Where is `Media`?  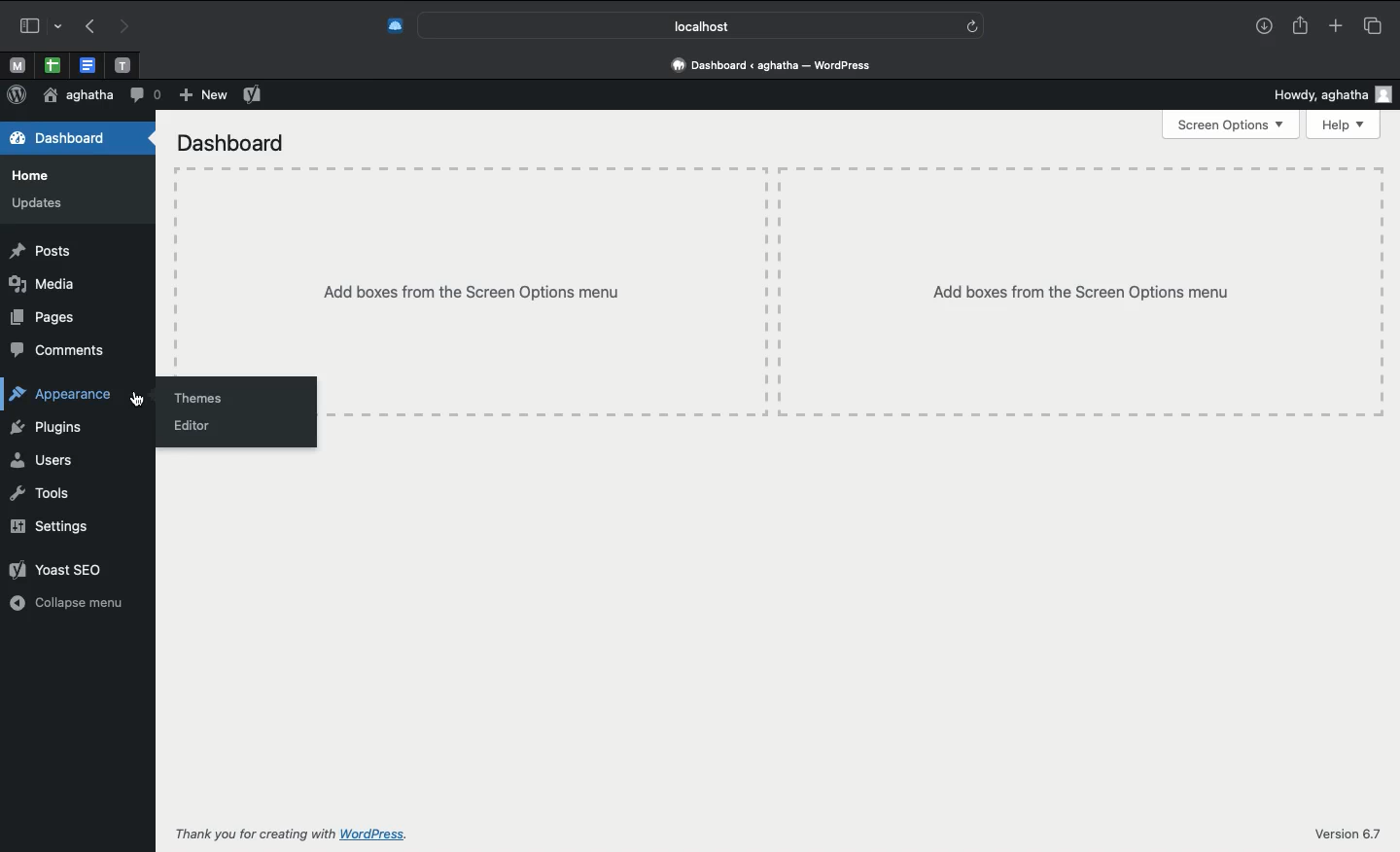
Media is located at coordinates (39, 285).